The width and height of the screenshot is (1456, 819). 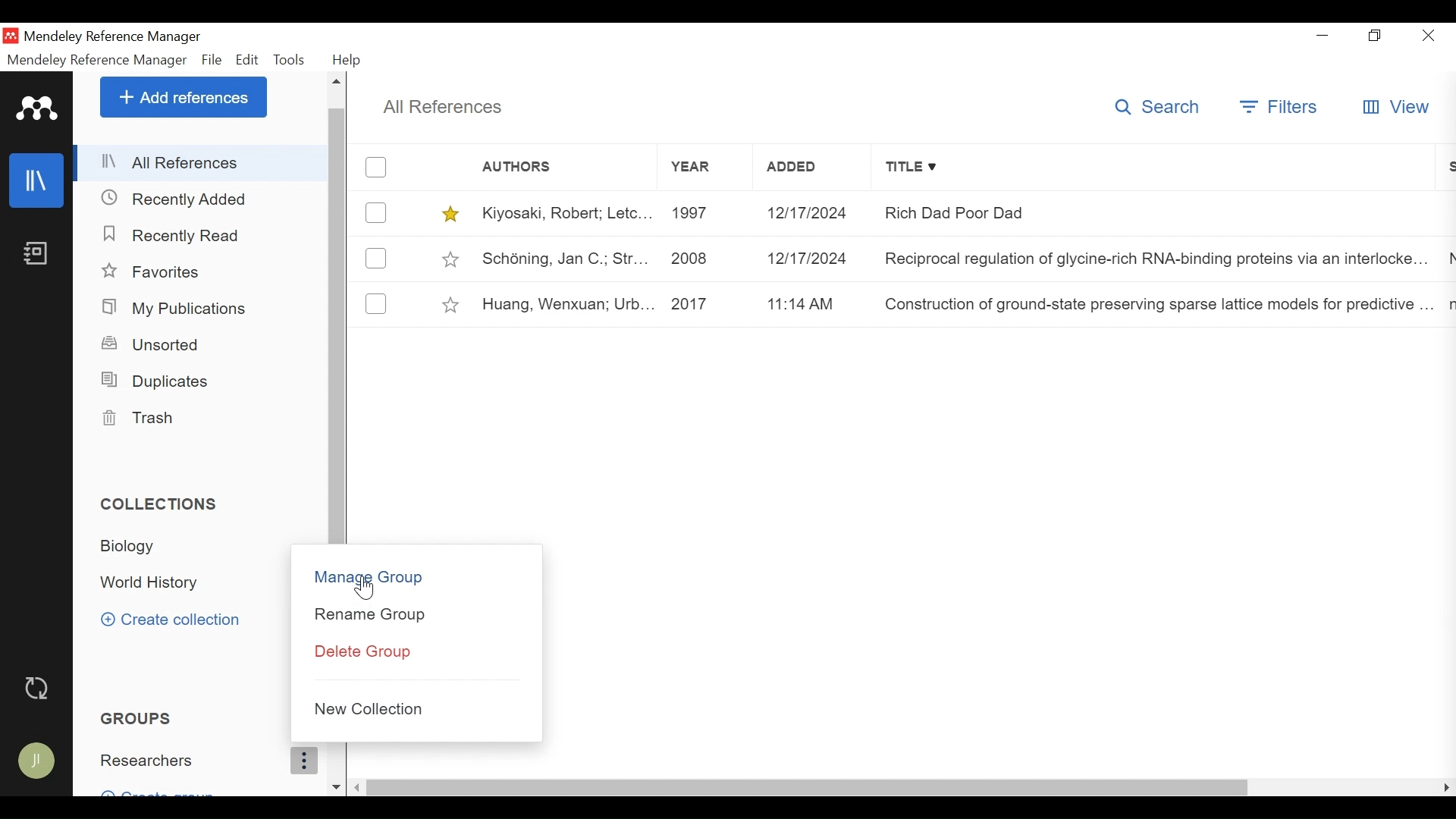 What do you see at coordinates (375, 259) in the screenshot?
I see `(un)select` at bounding box center [375, 259].